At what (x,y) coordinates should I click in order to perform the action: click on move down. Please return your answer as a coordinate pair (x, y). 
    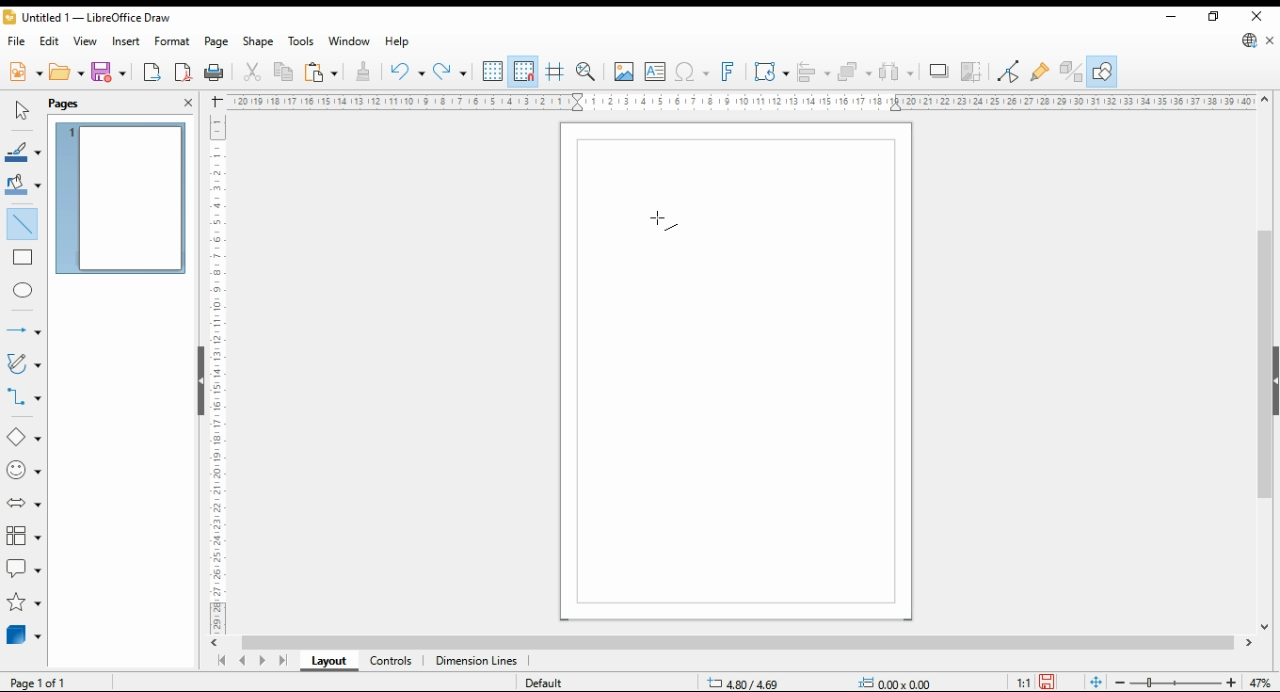
    Looking at the image, I should click on (1265, 629).